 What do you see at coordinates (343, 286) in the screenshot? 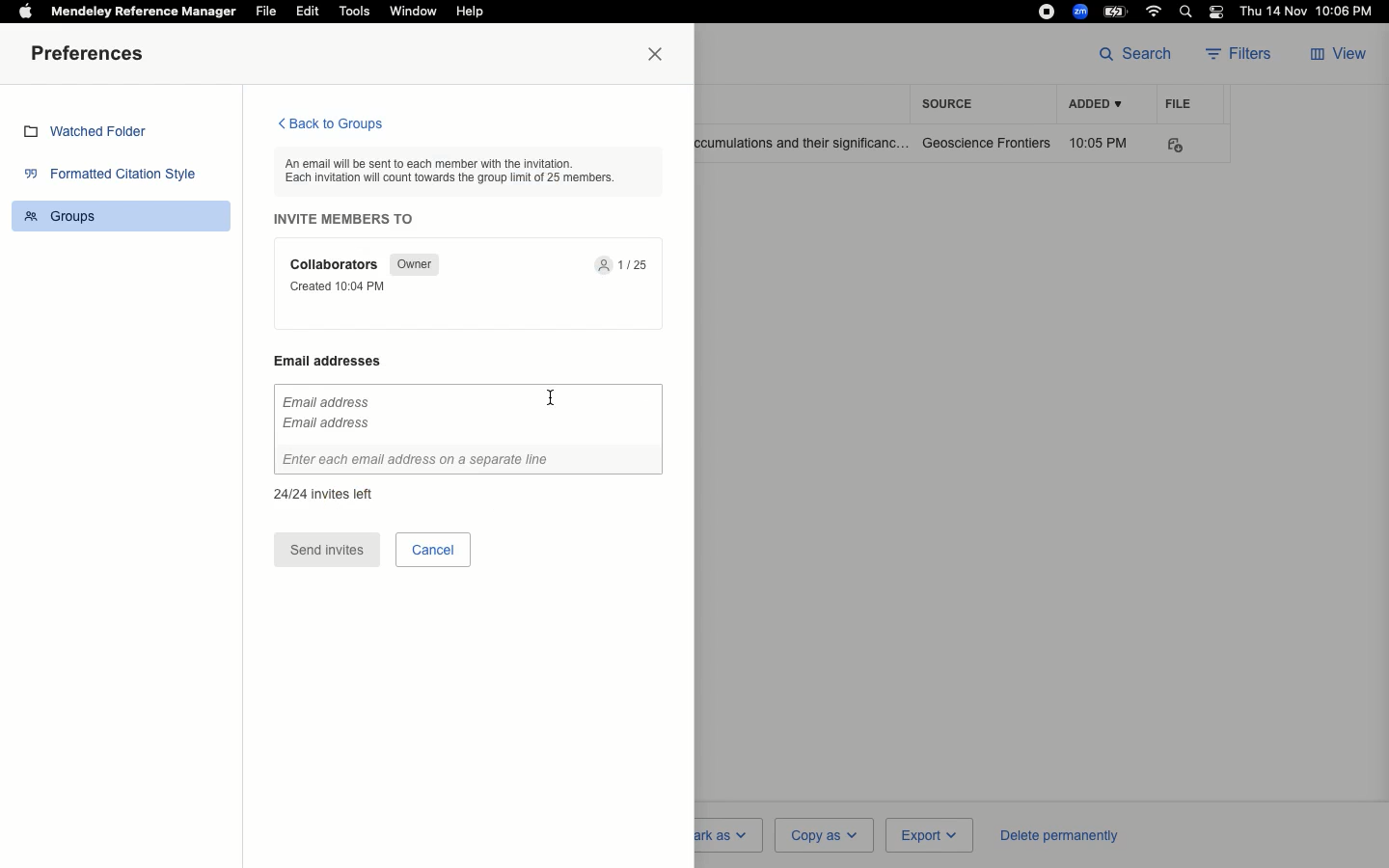
I see `Created` at bounding box center [343, 286].